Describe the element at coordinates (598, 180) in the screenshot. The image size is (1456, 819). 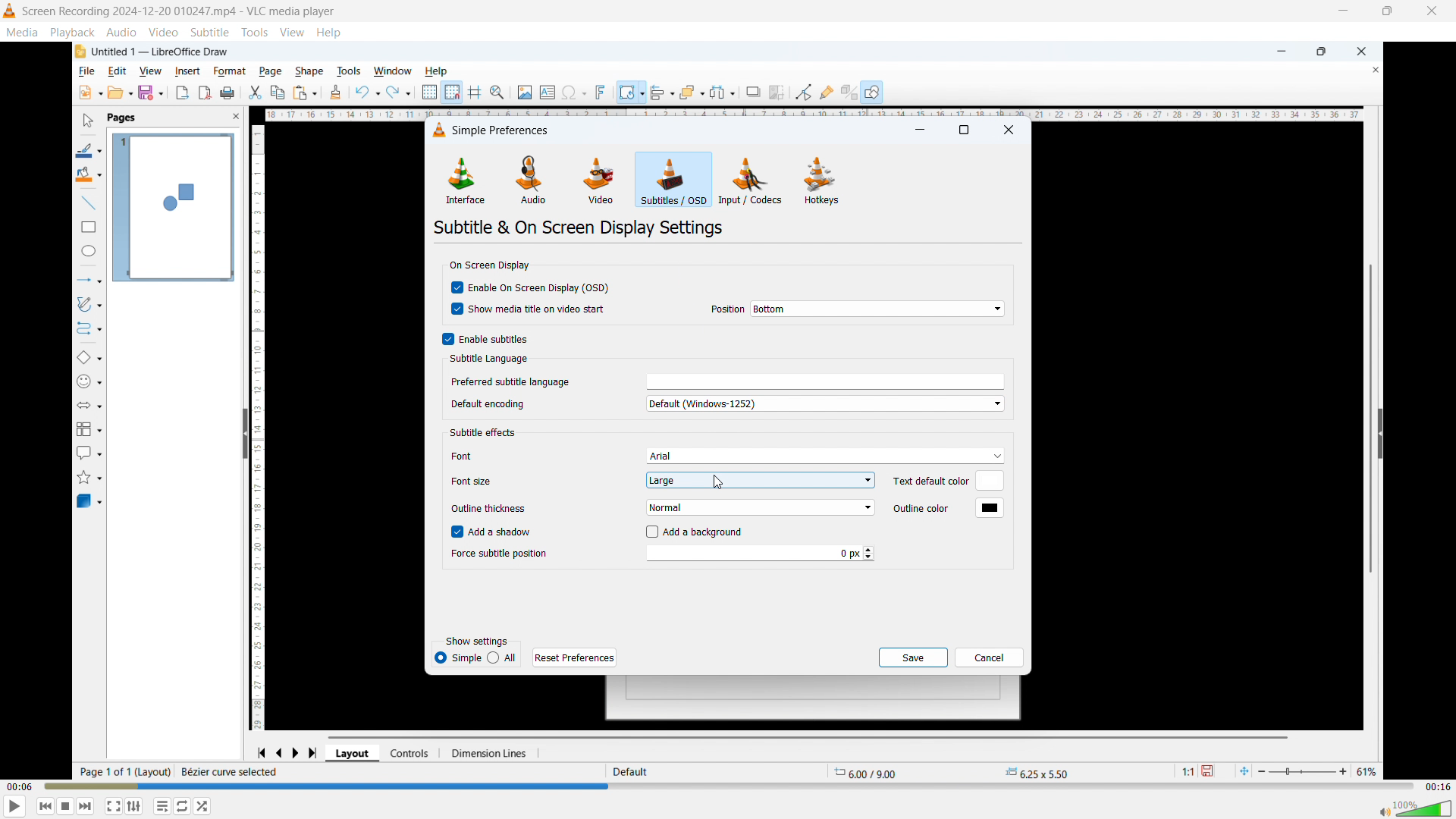
I see `Video ` at that location.